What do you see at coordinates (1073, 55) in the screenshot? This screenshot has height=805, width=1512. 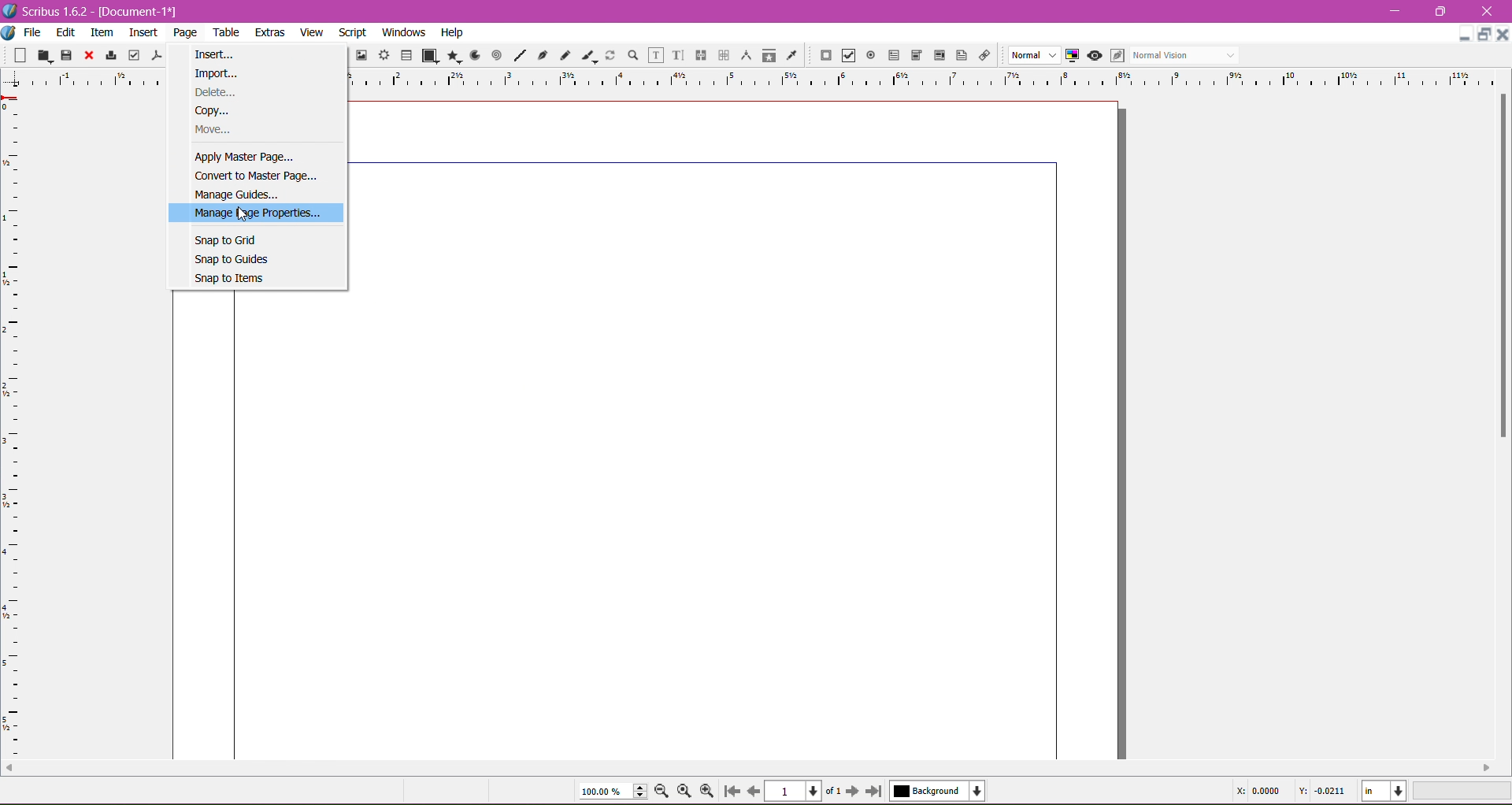 I see `Toggle Color Management System` at bounding box center [1073, 55].